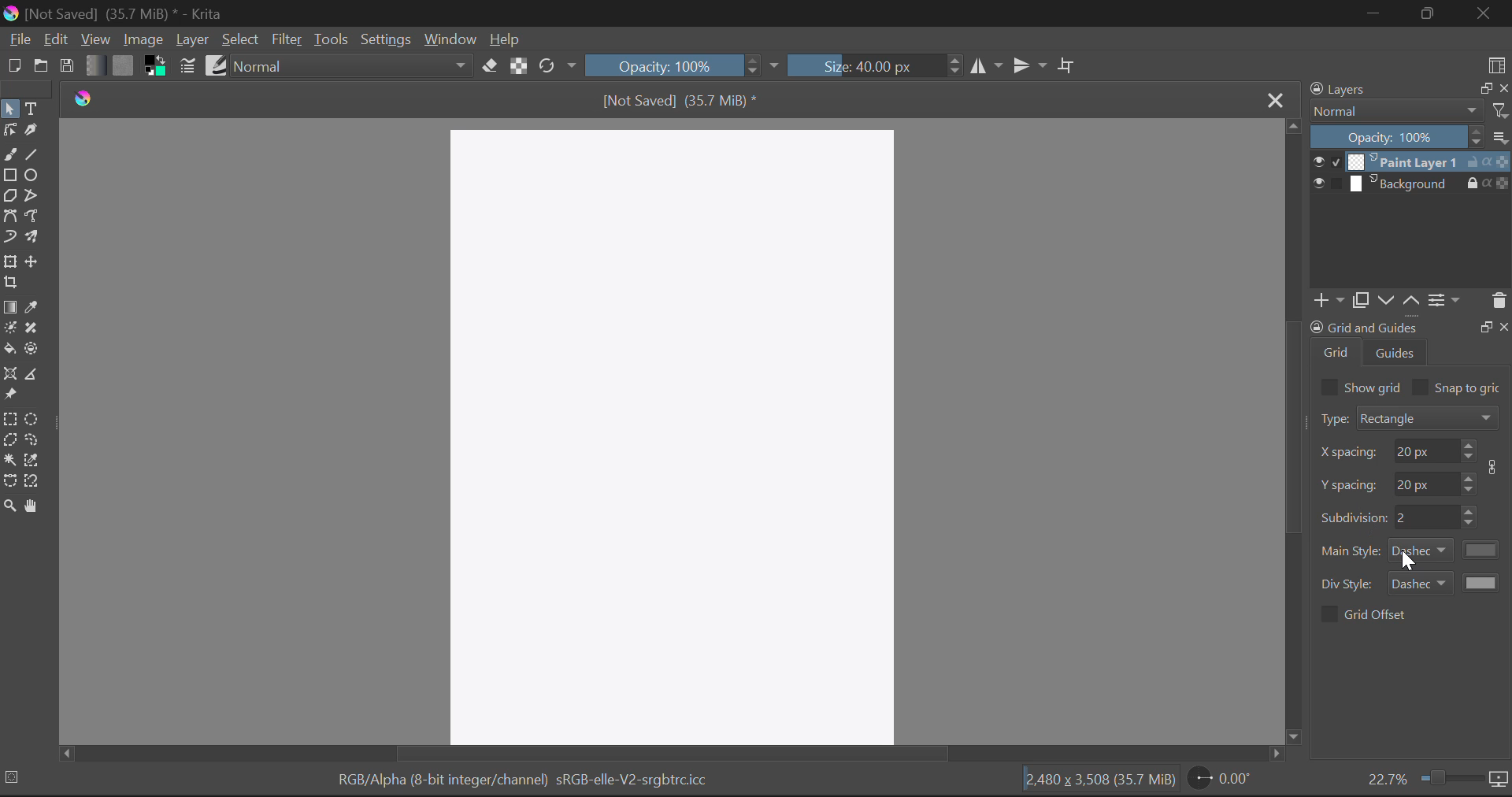 The image size is (1512, 797). I want to click on normal, so click(1396, 110).